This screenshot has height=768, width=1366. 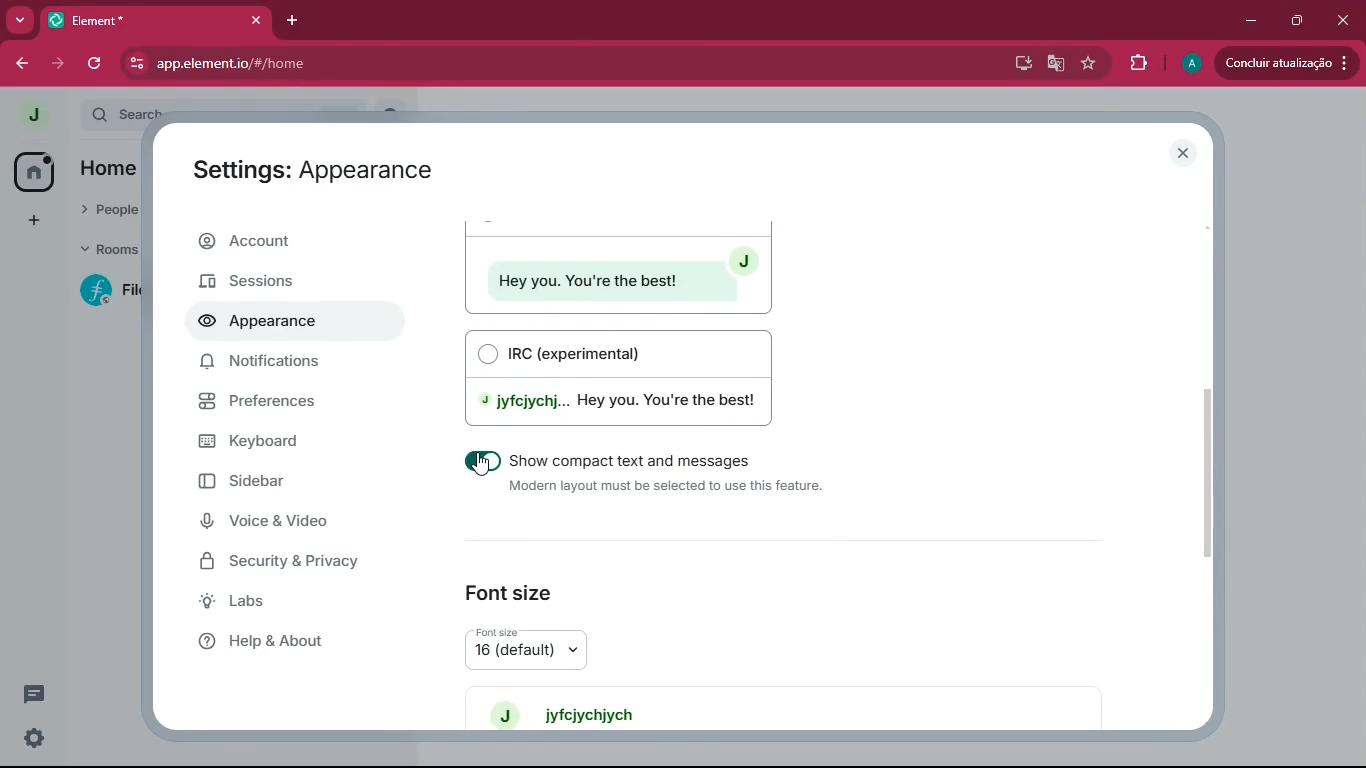 What do you see at coordinates (640, 460) in the screenshot?
I see `Show compact text and messages` at bounding box center [640, 460].